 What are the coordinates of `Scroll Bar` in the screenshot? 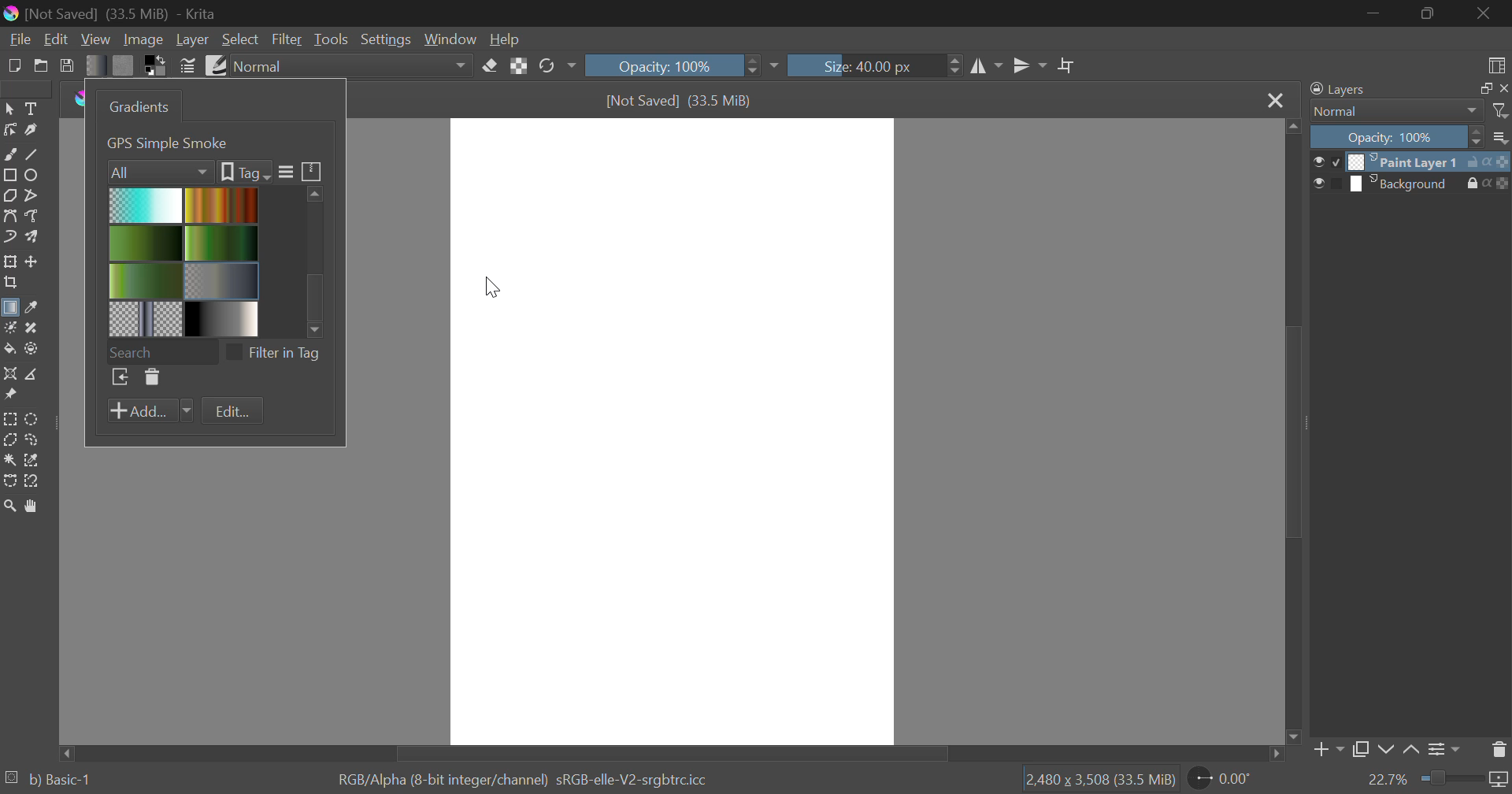 It's located at (1291, 433).